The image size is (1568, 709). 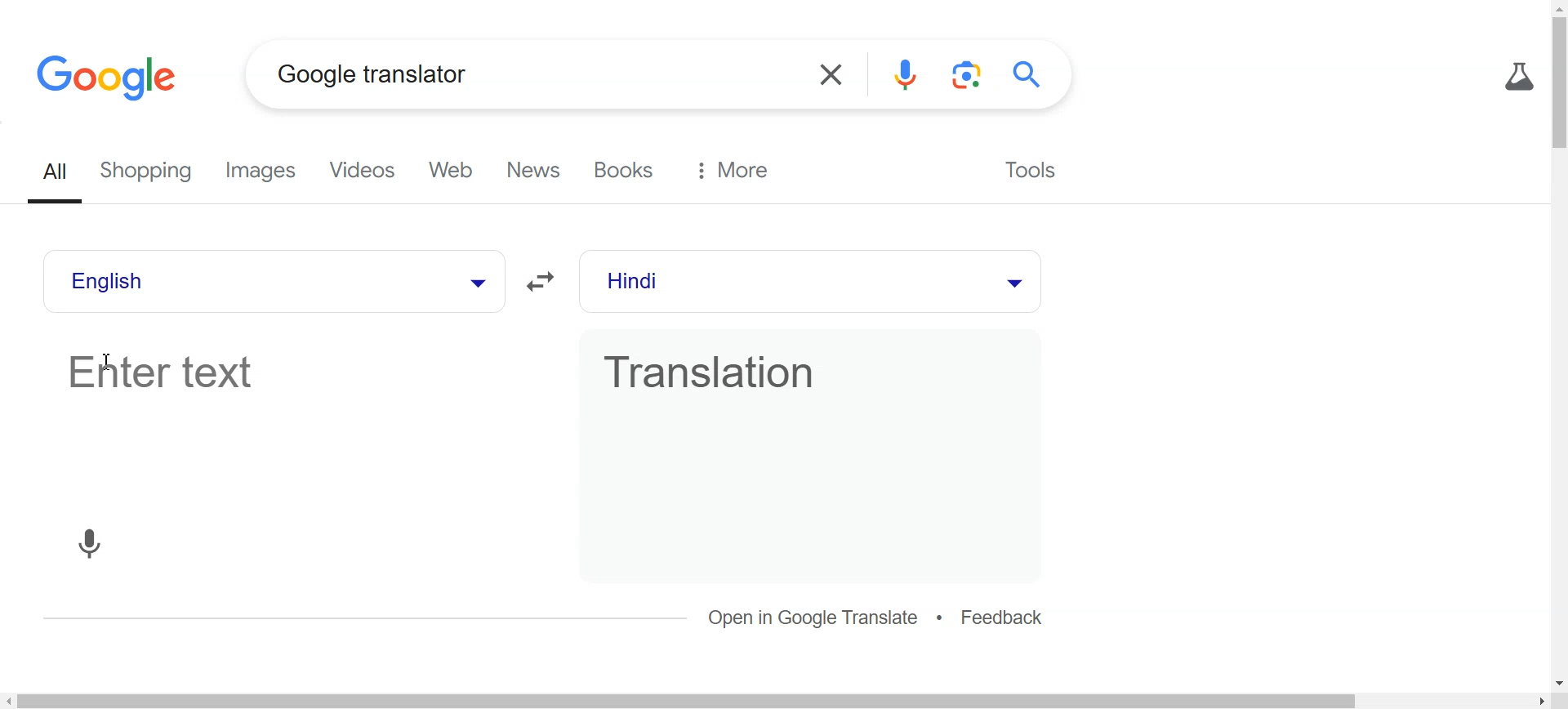 I want to click on Search by voice, so click(x=906, y=75).